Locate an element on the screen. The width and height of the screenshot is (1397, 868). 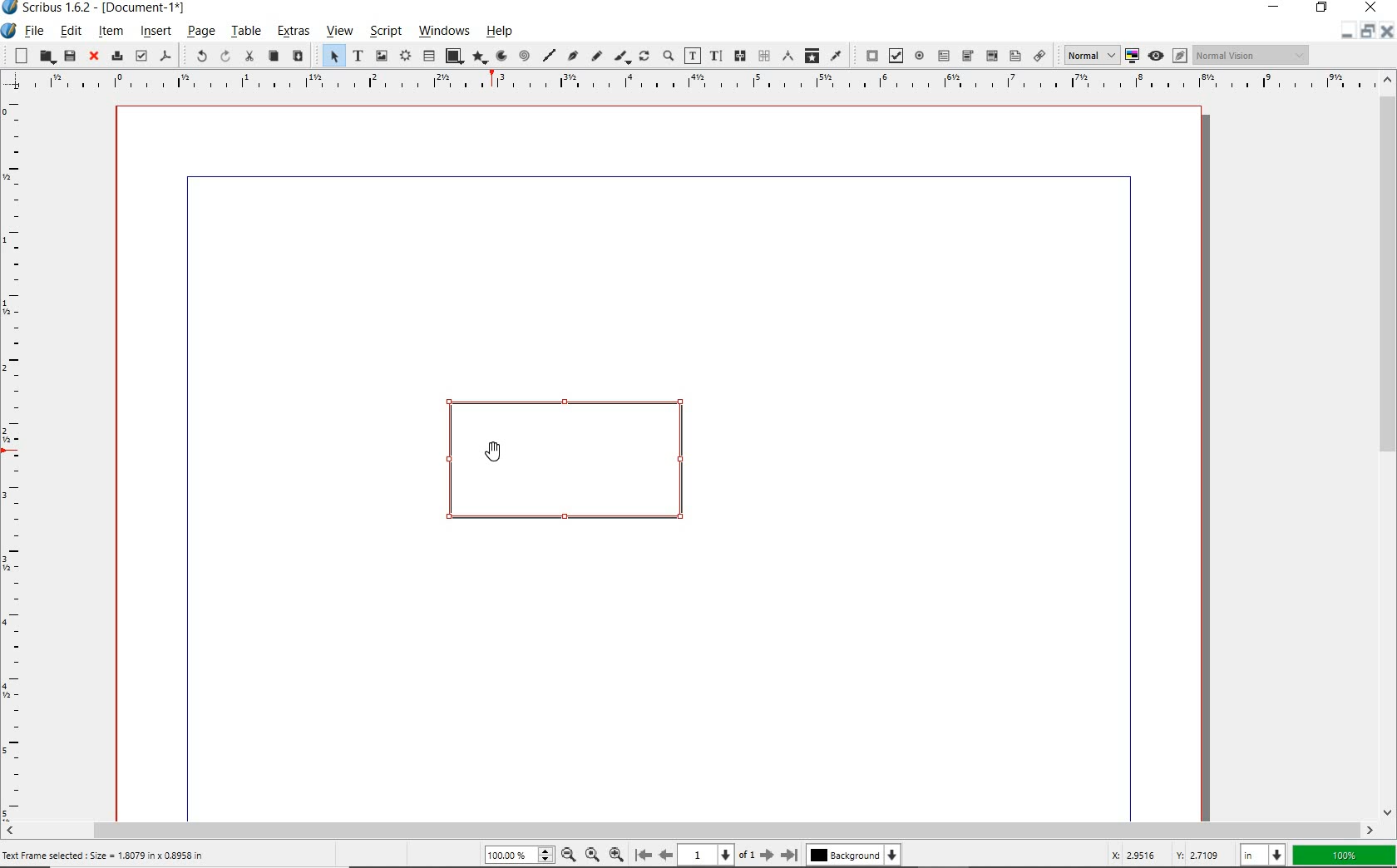
Edit in preview mode is located at coordinates (1181, 55).